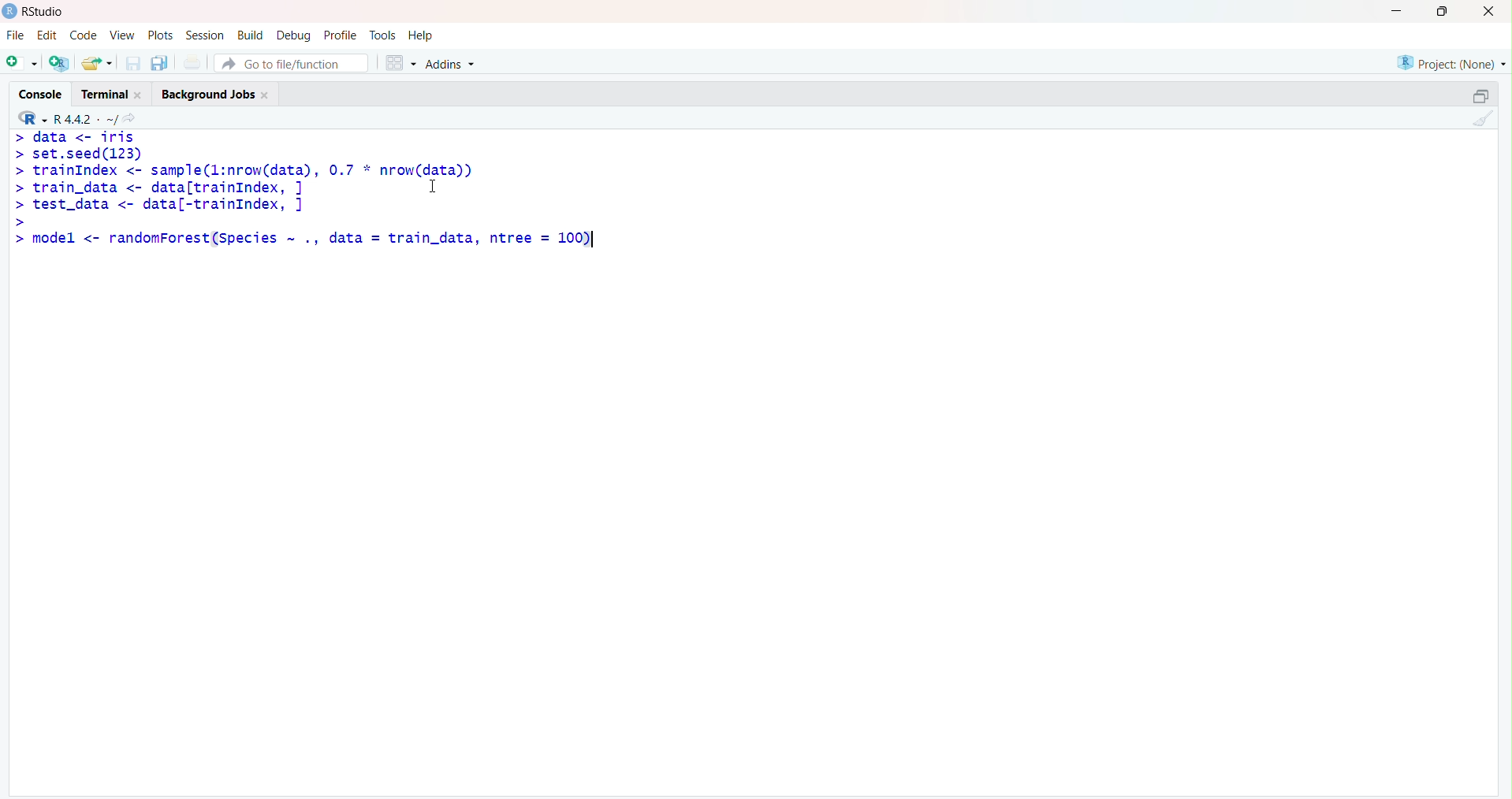 The height and width of the screenshot is (799, 1512). What do you see at coordinates (82, 35) in the screenshot?
I see `Code` at bounding box center [82, 35].